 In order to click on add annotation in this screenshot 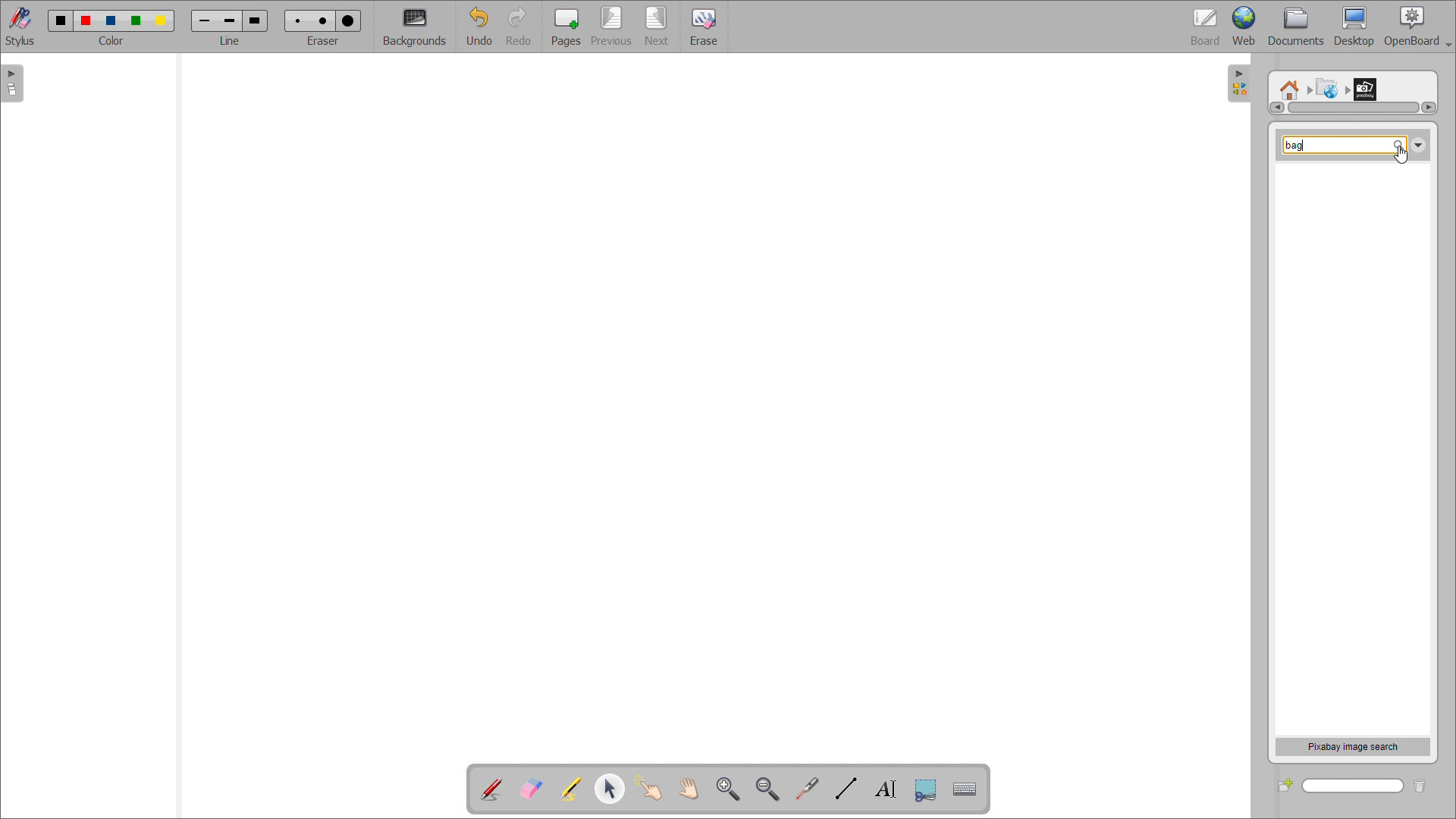, I will do `click(491, 789)`.